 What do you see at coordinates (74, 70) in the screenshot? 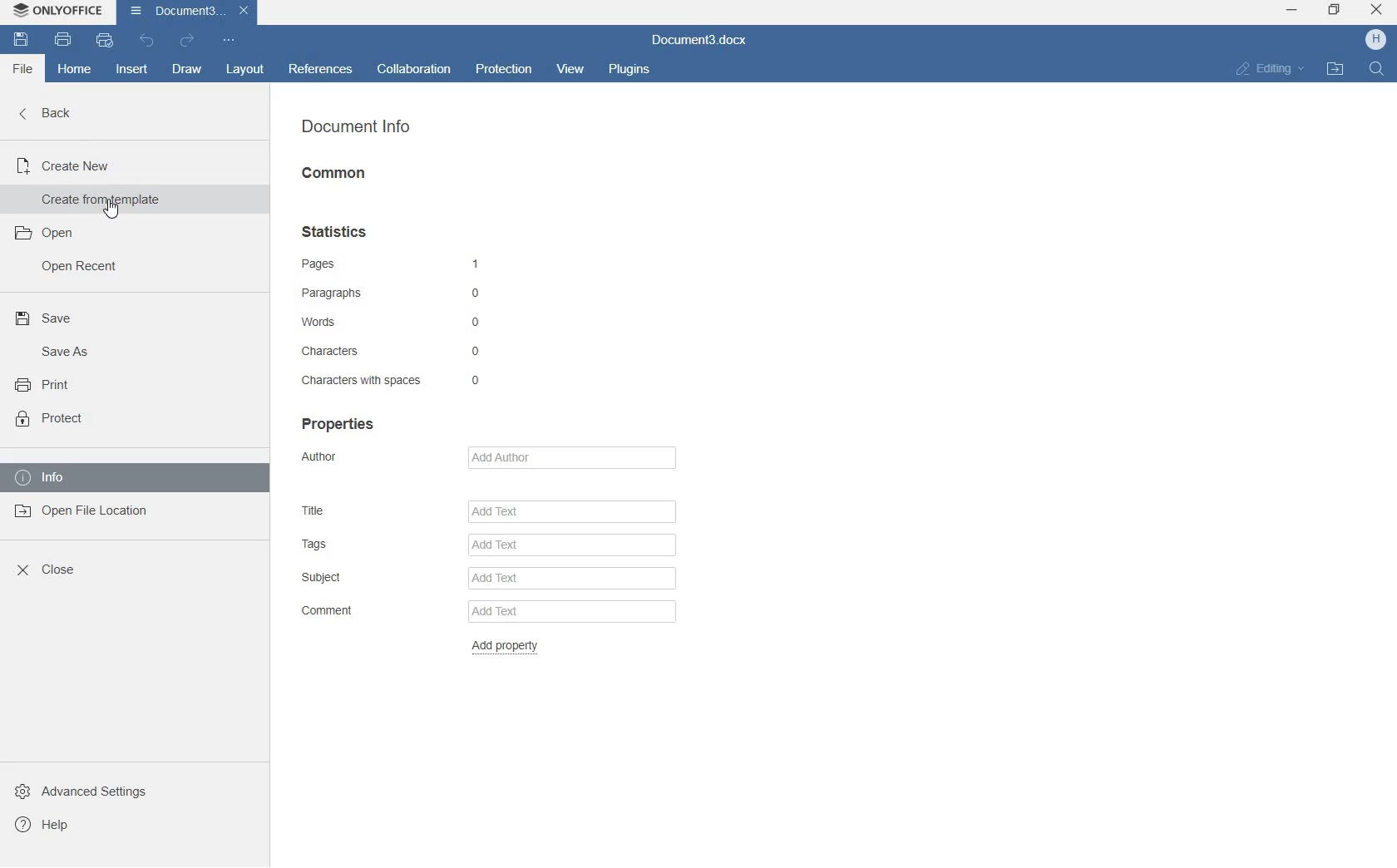
I see `home` at bounding box center [74, 70].